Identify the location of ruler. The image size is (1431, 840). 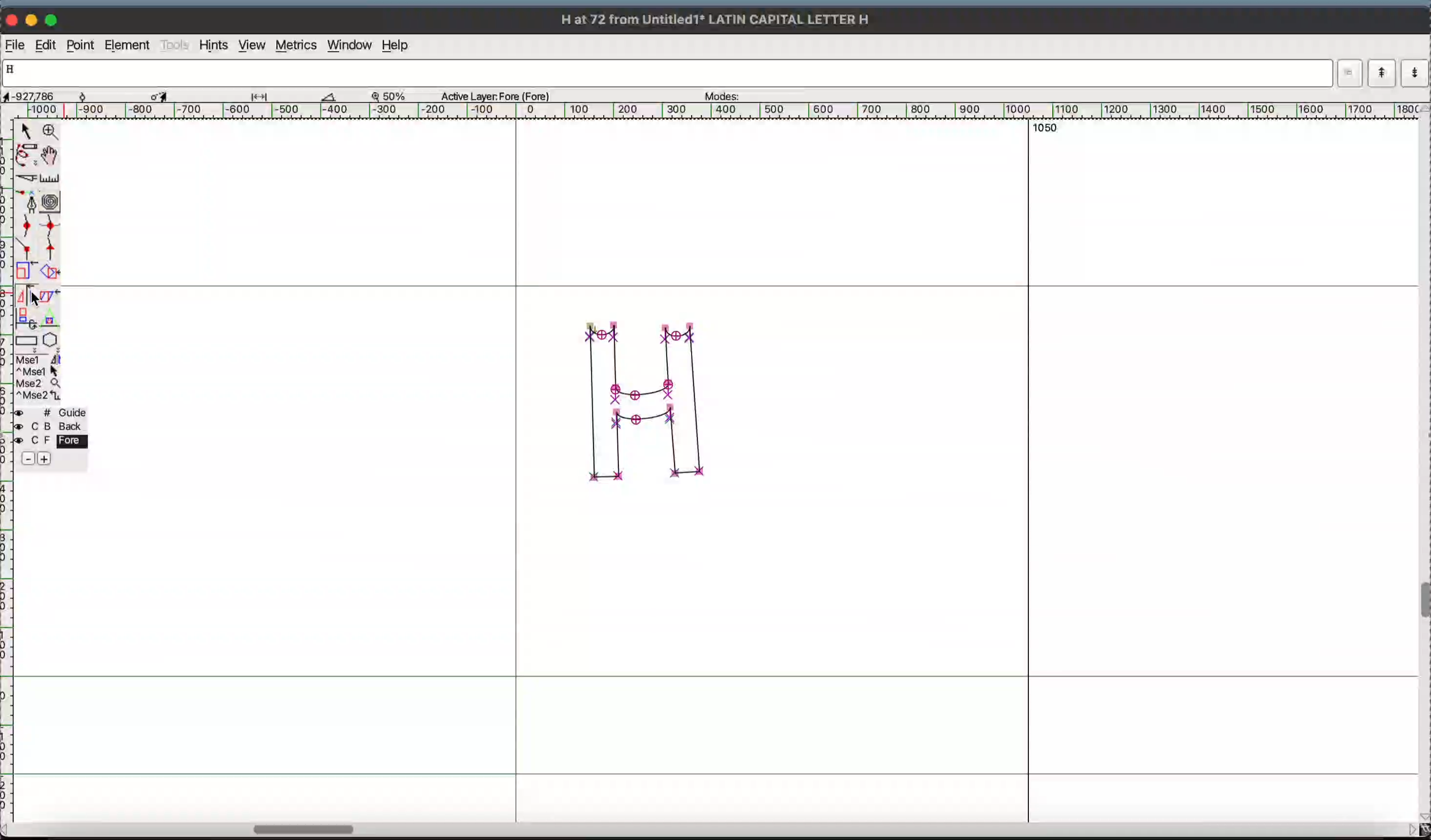
(49, 178).